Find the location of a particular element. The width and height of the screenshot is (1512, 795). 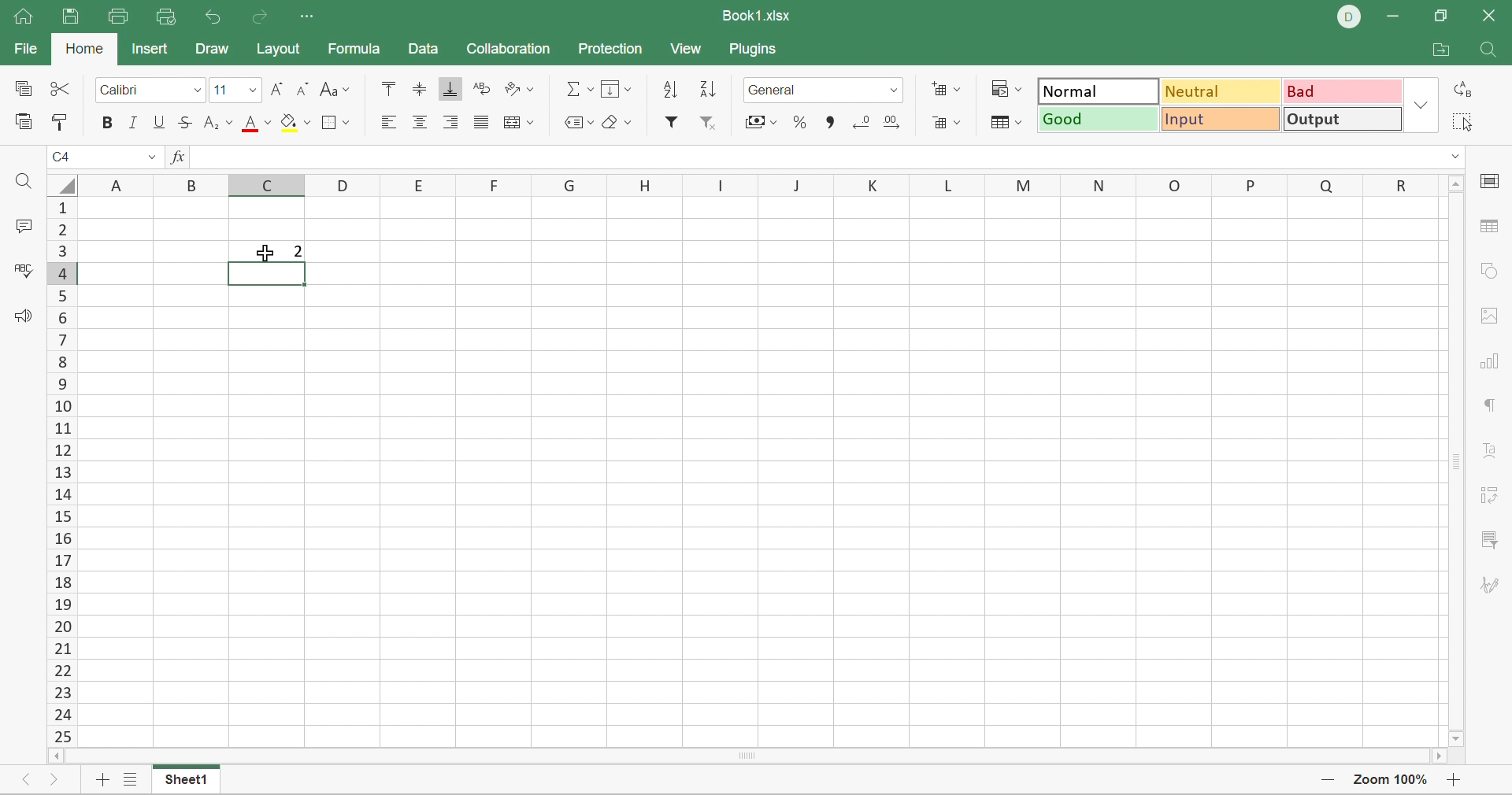

Layout is located at coordinates (277, 50).